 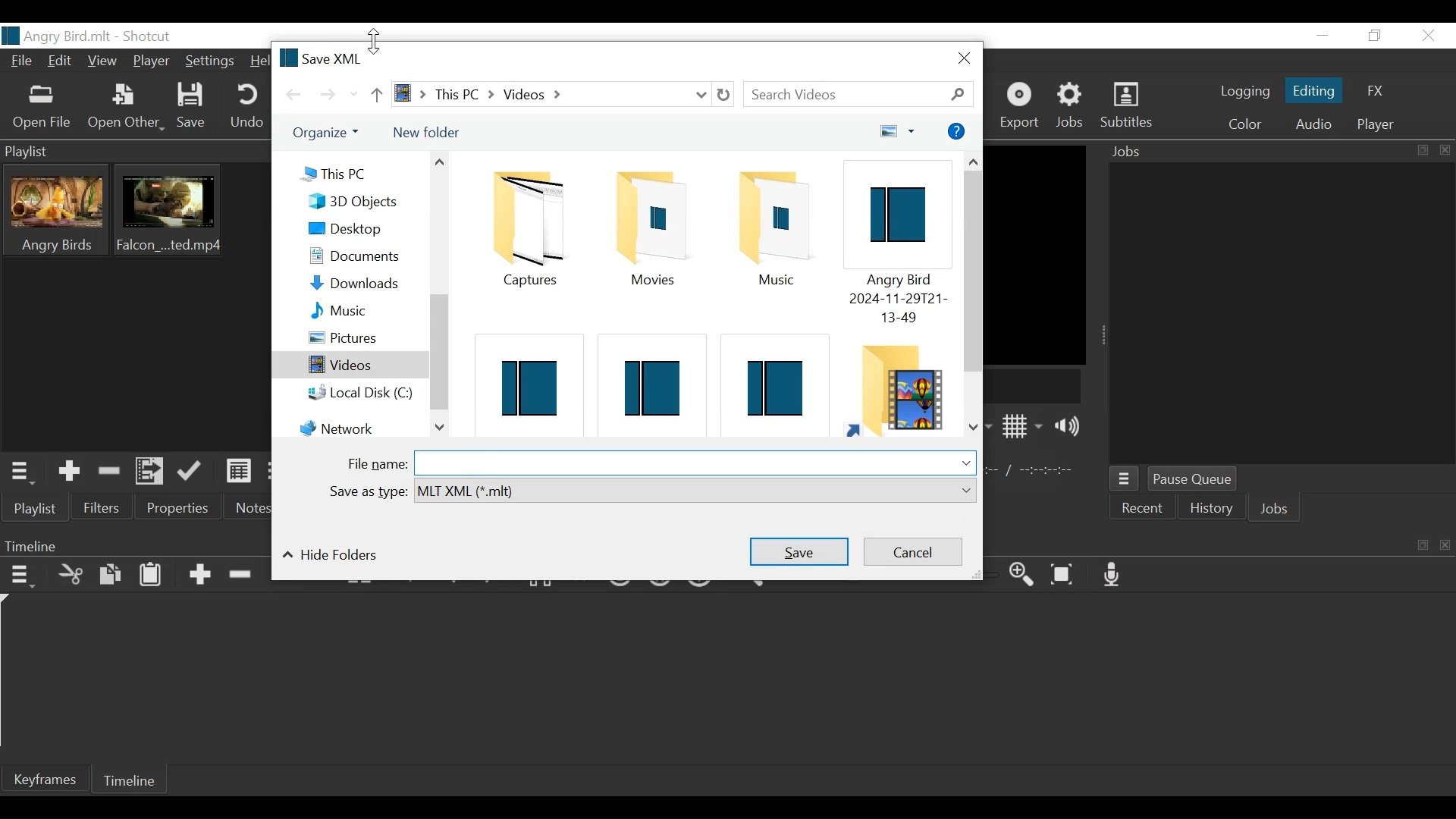 What do you see at coordinates (1430, 36) in the screenshot?
I see `Close` at bounding box center [1430, 36].